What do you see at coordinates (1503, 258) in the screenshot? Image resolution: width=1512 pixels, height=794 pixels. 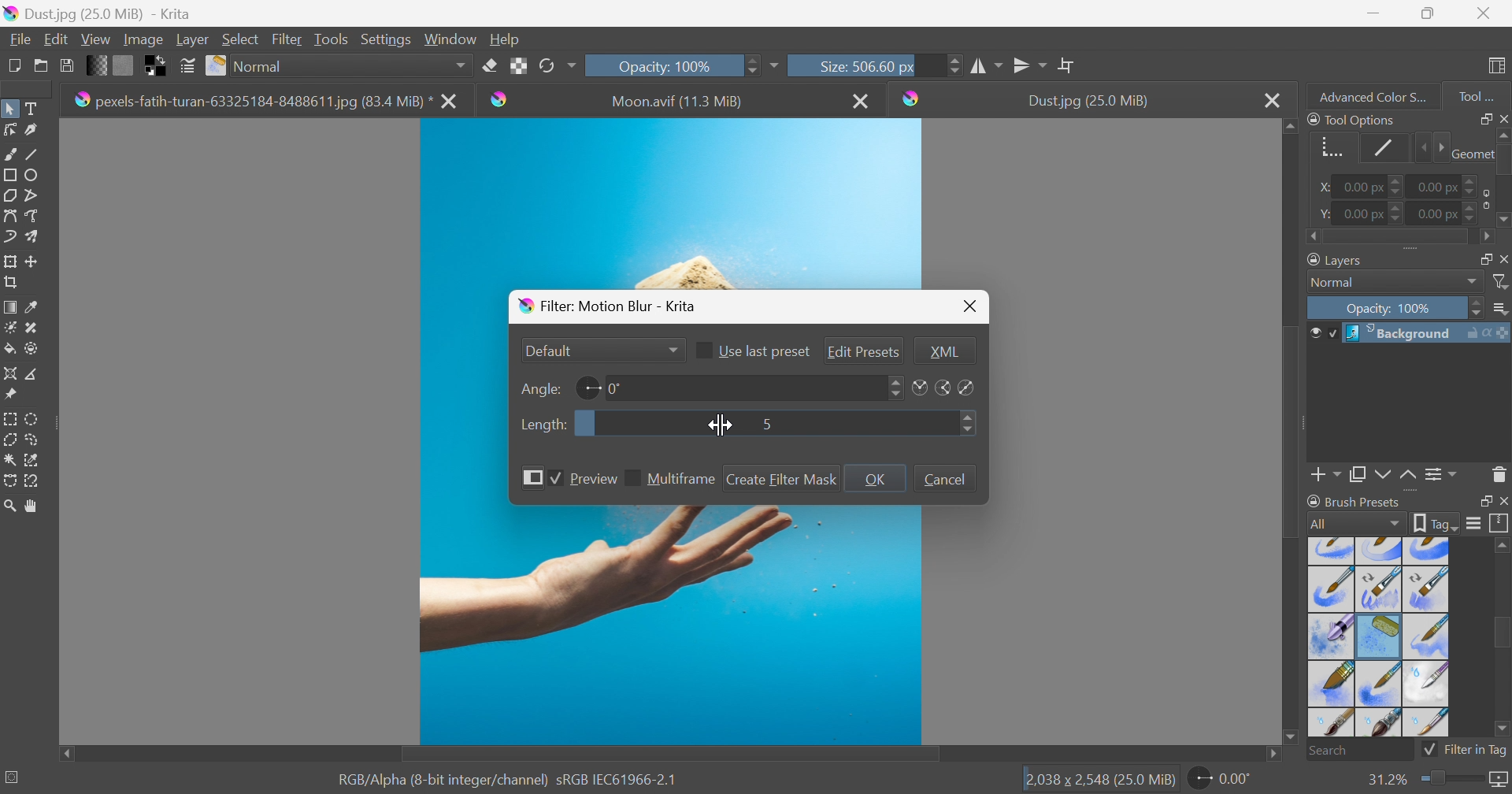 I see `Float Docker` at bounding box center [1503, 258].